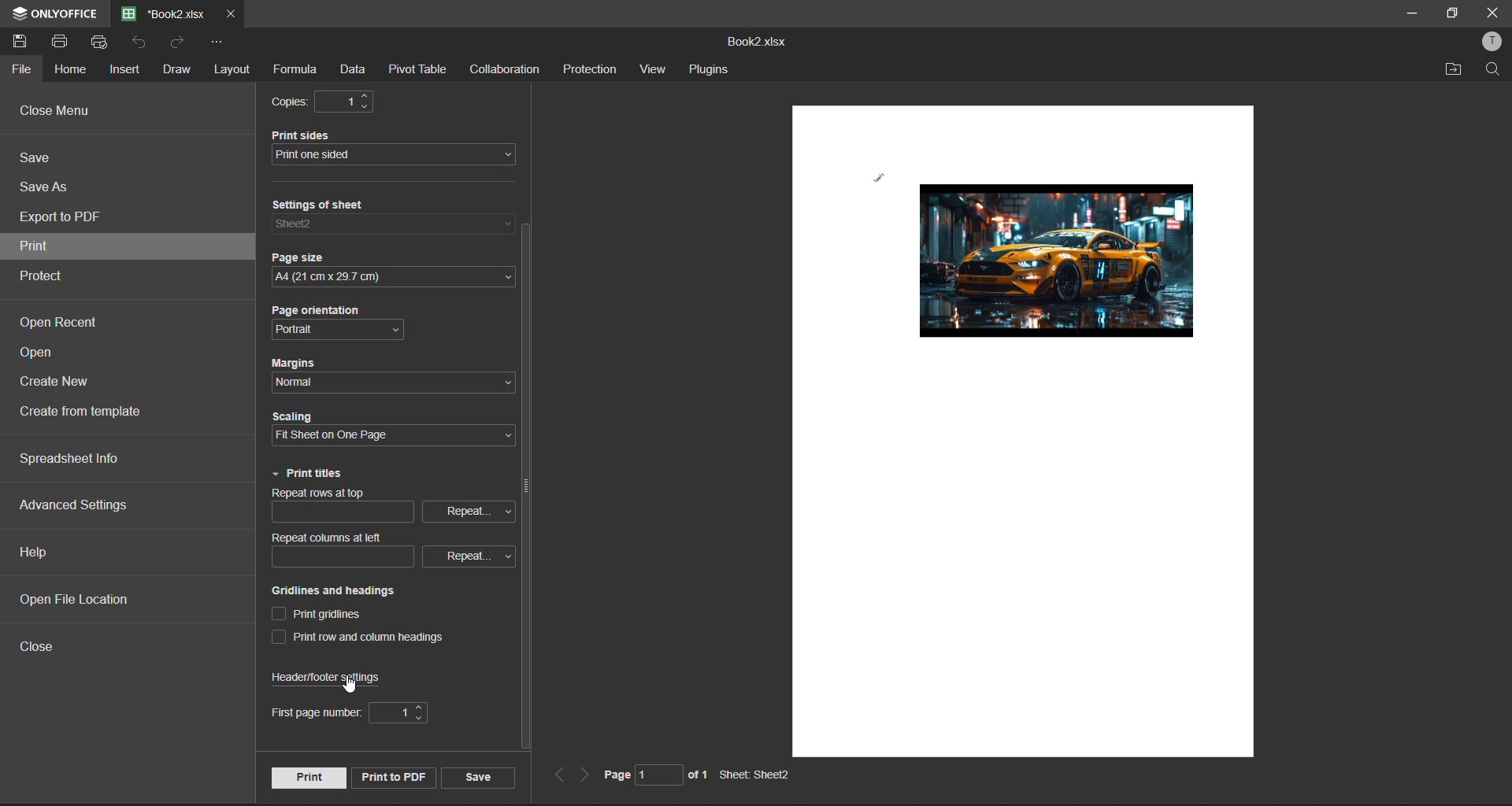  Describe the element at coordinates (586, 776) in the screenshot. I see `next` at that location.